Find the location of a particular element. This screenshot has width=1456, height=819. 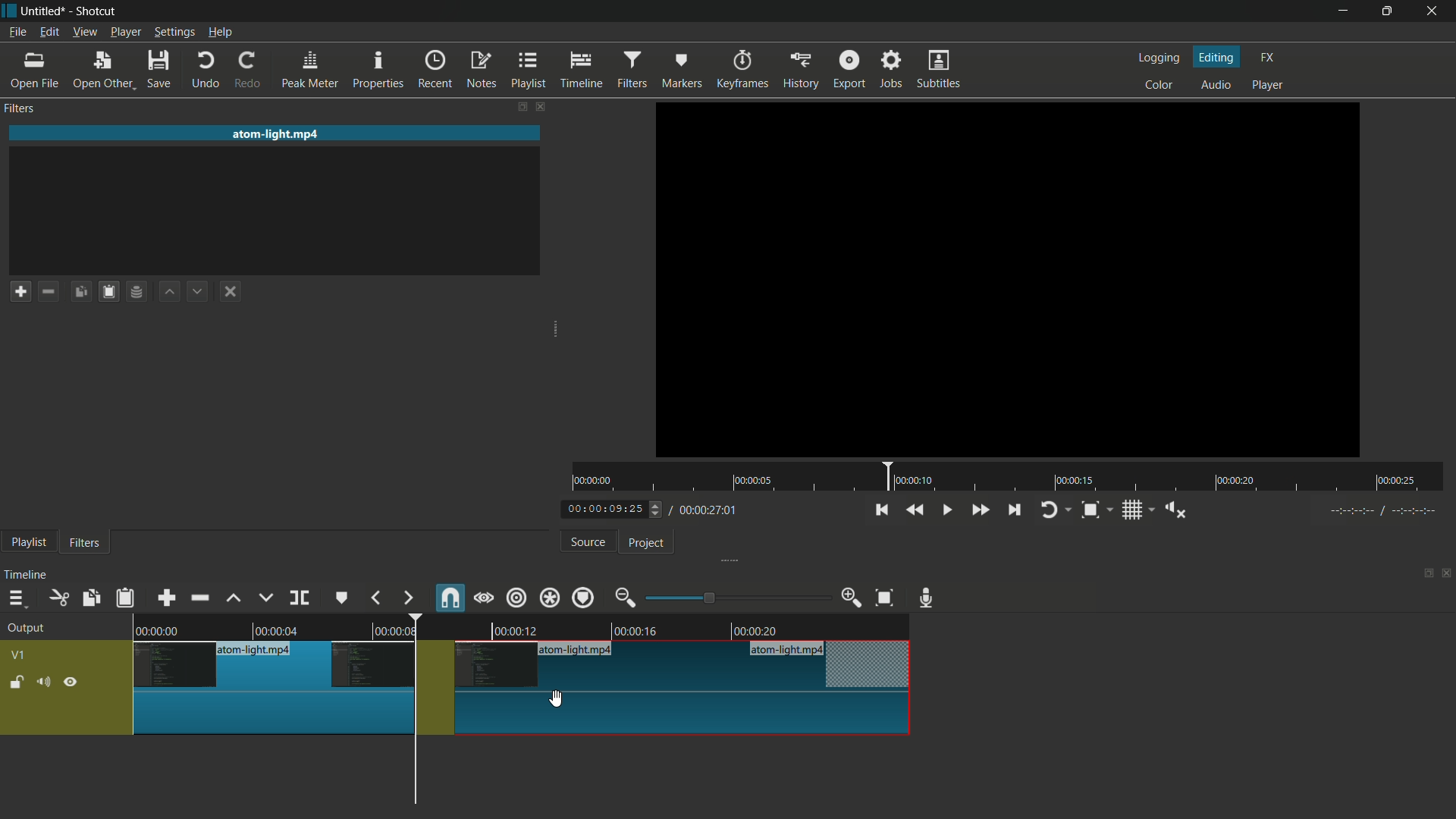

properties is located at coordinates (380, 71).